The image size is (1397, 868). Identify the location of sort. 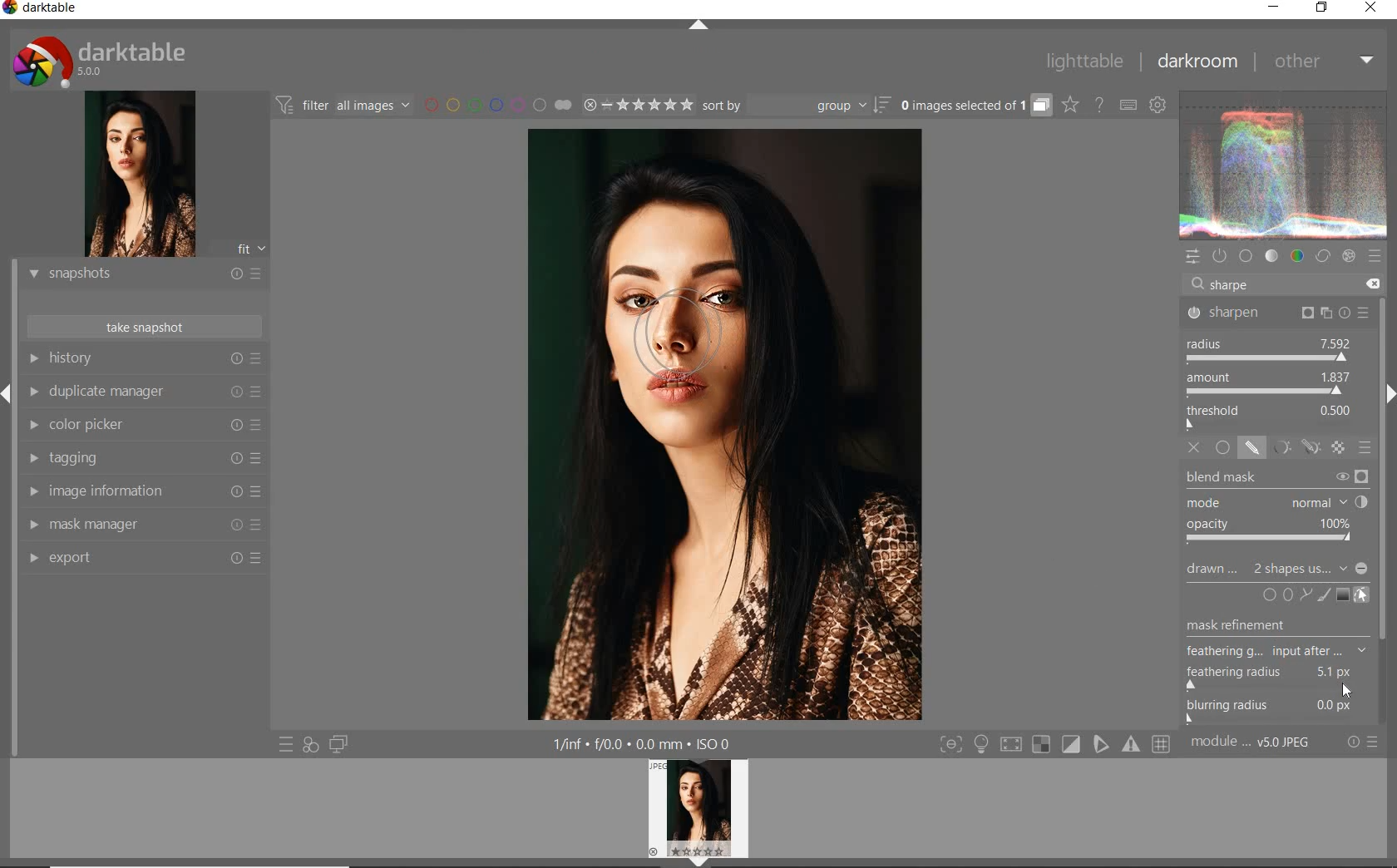
(795, 104).